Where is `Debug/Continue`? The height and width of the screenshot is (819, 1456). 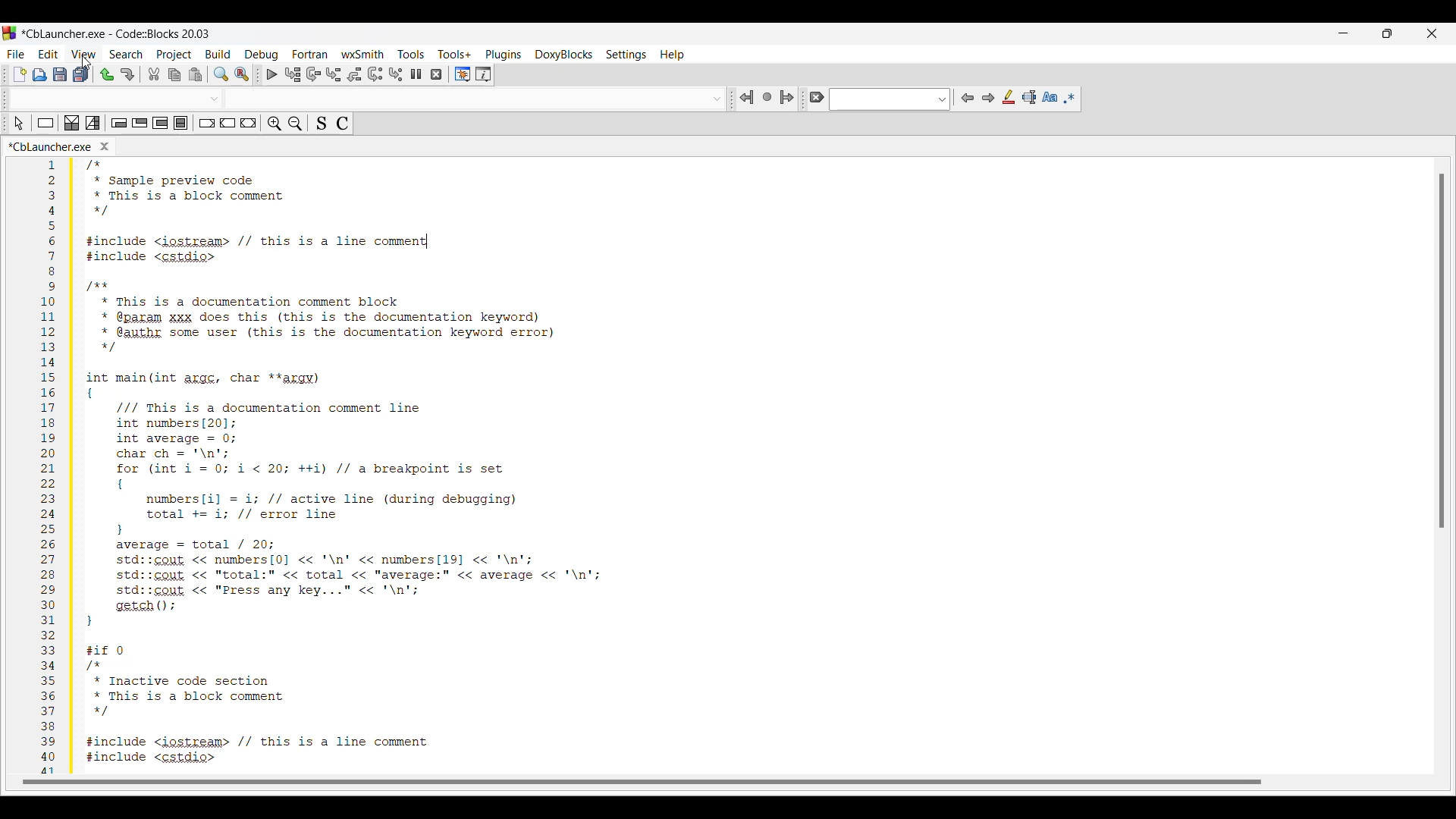
Debug/Continue is located at coordinates (272, 74).